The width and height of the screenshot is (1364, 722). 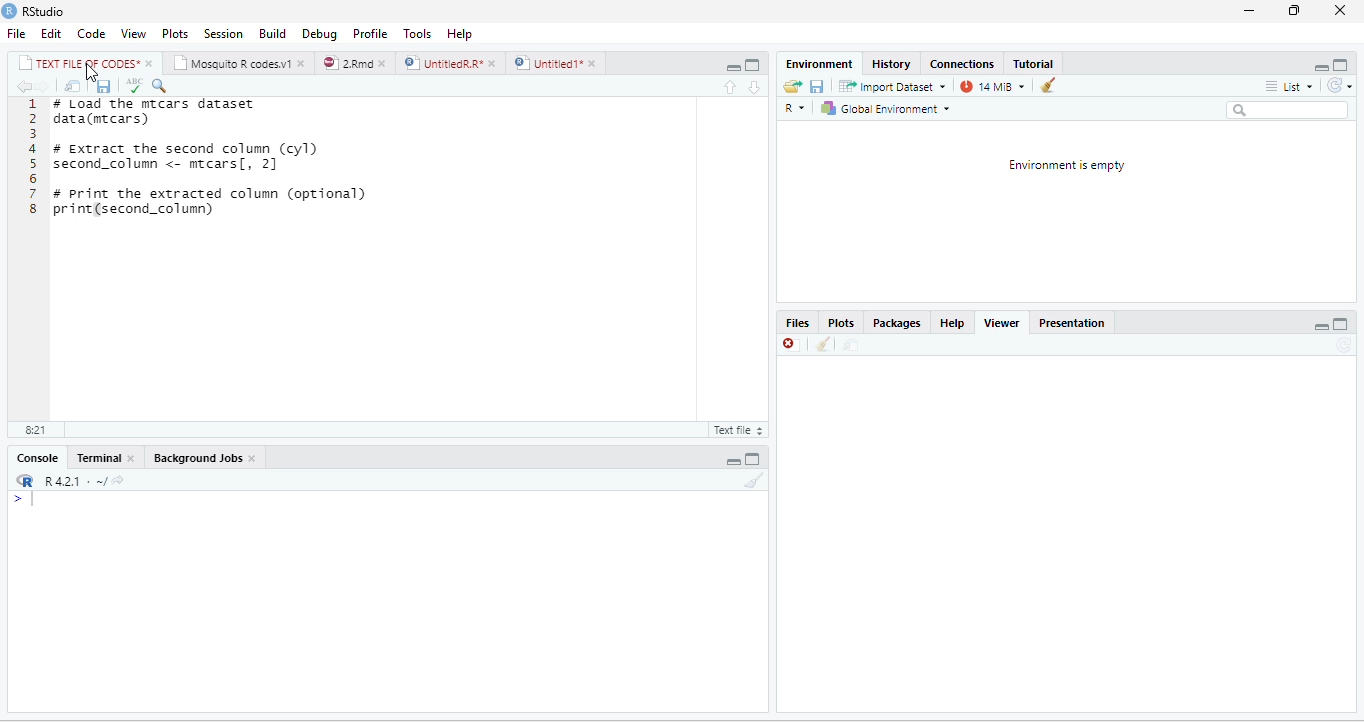 What do you see at coordinates (384, 602) in the screenshot?
I see `display` at bounding box center [384, 602].